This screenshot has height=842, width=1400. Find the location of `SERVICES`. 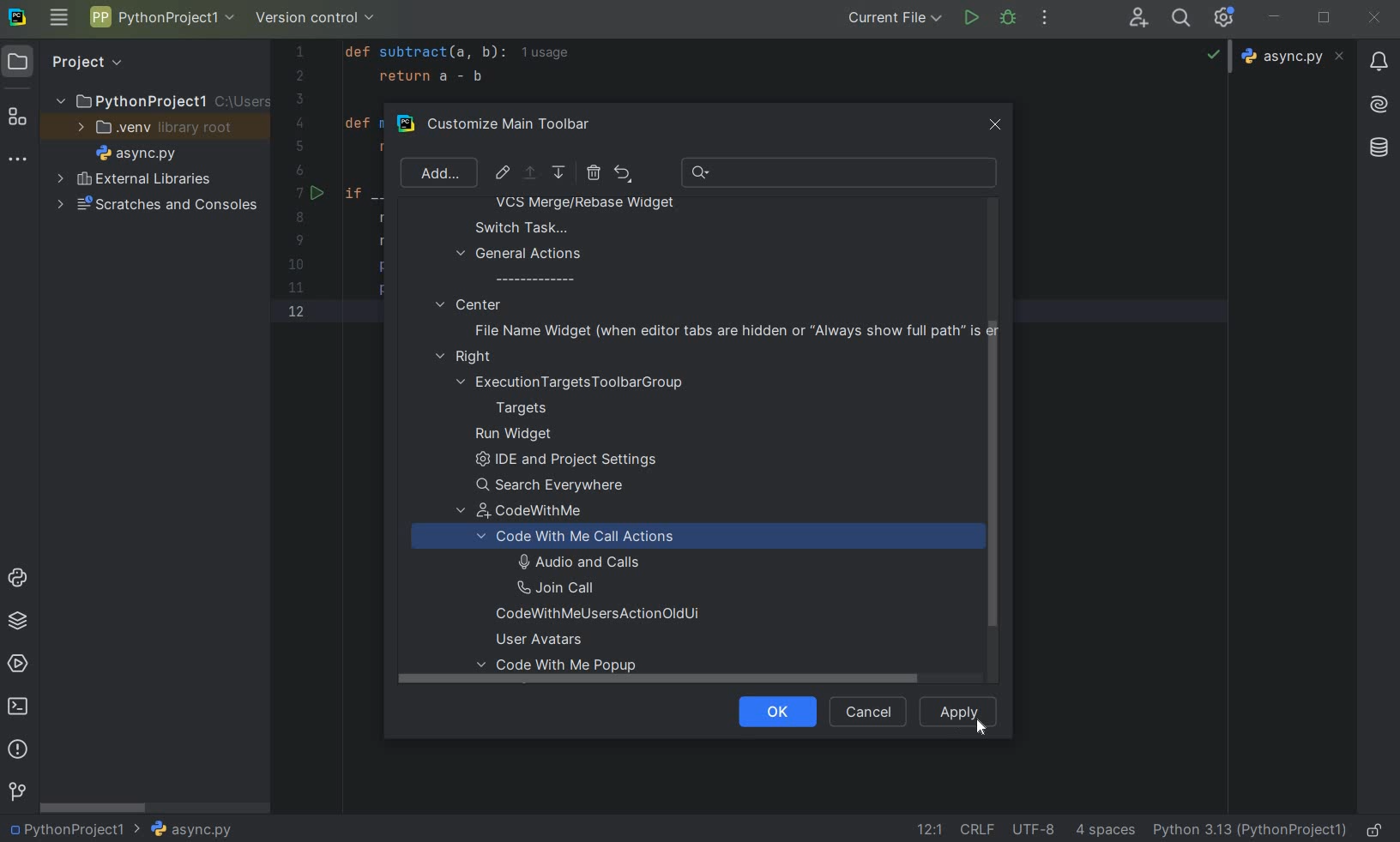

SERVICES is located at coordinates (18, 665).